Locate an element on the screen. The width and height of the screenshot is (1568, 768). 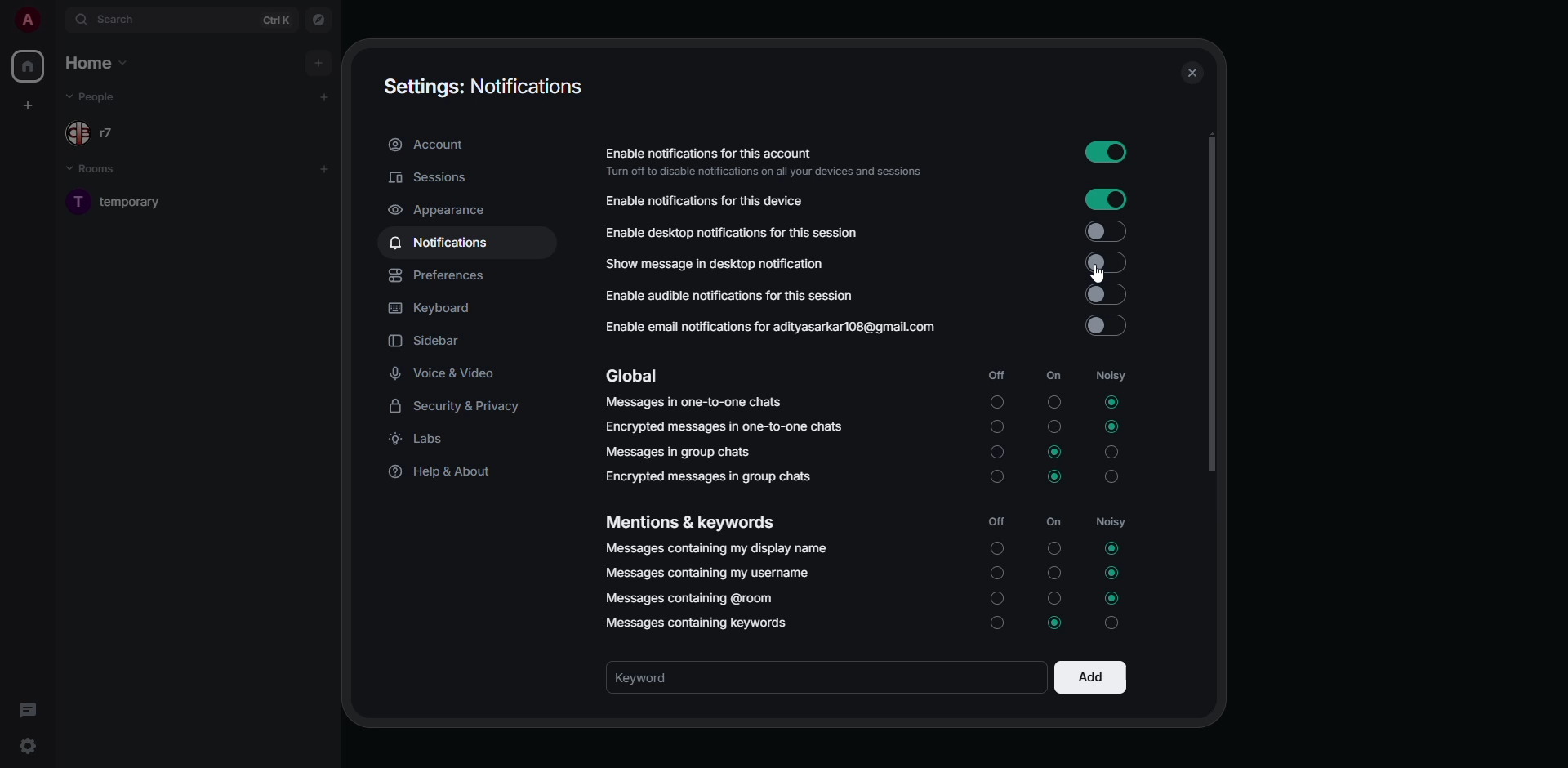
 is located at coordinates (1106, 294).